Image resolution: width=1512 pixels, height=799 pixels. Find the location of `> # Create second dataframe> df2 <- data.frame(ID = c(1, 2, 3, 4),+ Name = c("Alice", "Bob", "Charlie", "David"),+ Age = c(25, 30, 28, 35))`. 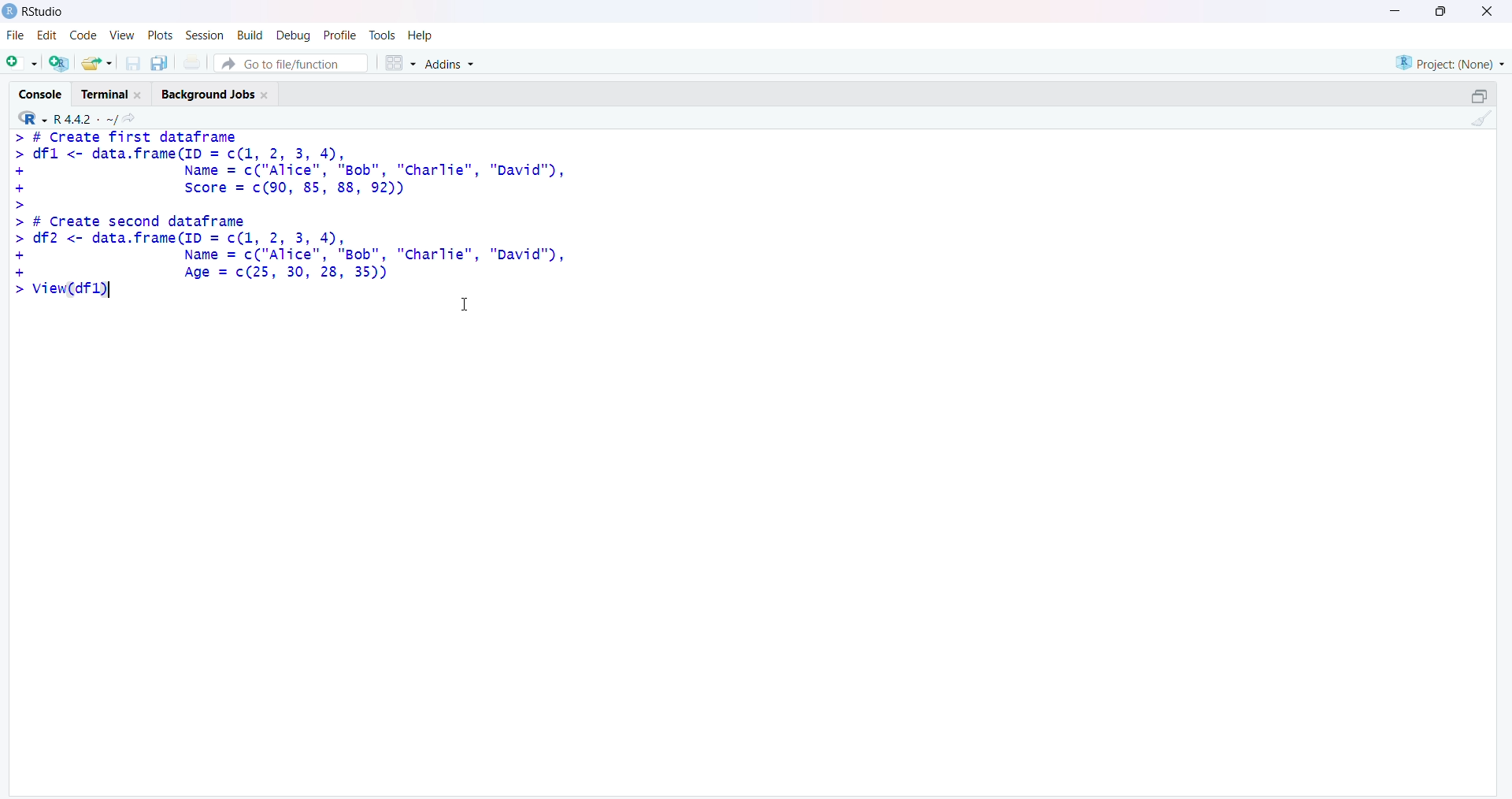

> # Create second dataframe> df2 <- data.frame(ID = c(1, 2, 3, 4),+ Name = c("Alice", "Bob", "Charlie", "David"),+ Age = c(25, 30, 28, 35)) is located at coordinates (292, 247).